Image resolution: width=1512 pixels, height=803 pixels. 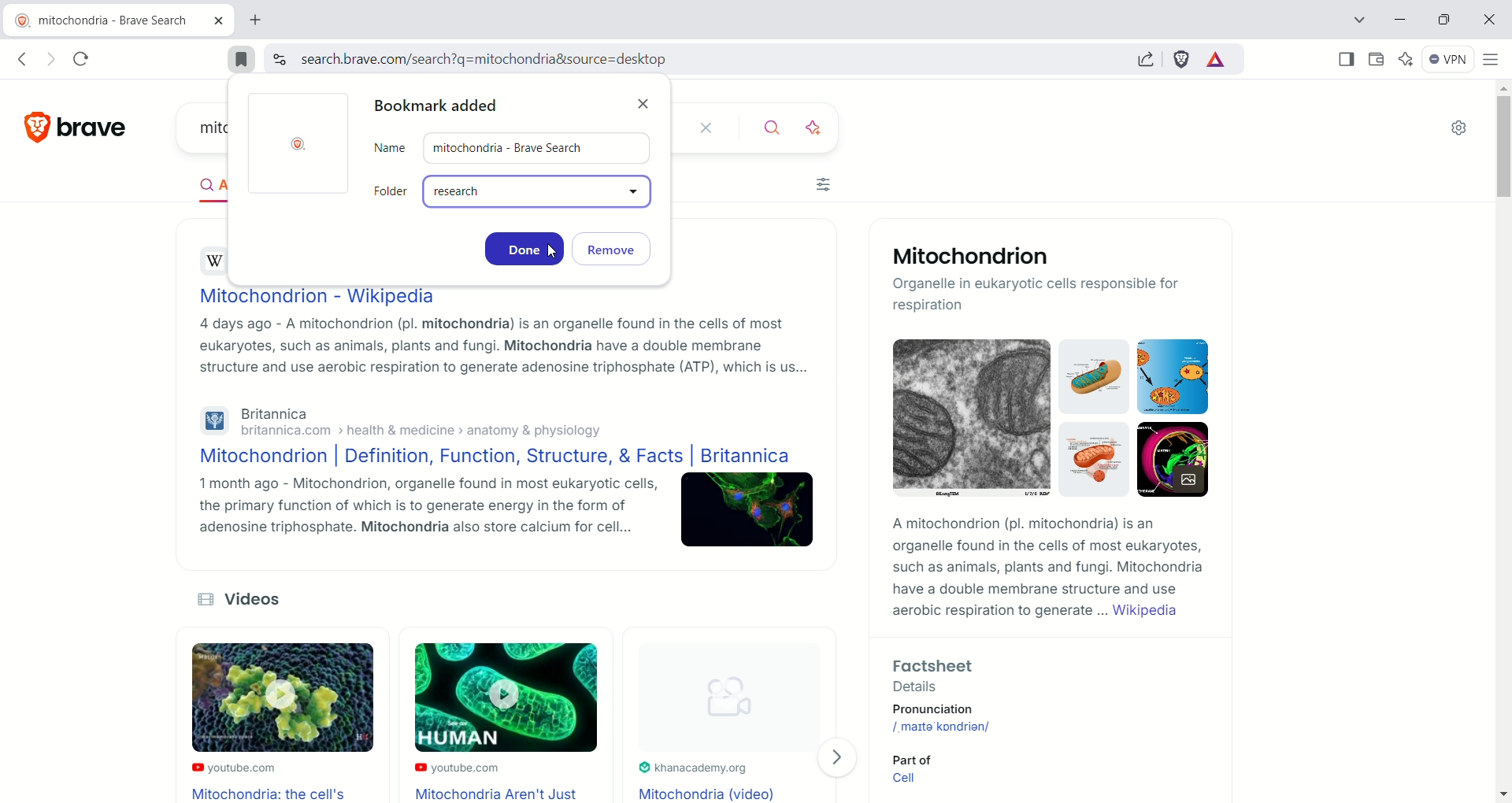 I want to click on Mitochondrion -Organelle in eukaryotic cells responsible for respiration, so click(x=1050, y=280).